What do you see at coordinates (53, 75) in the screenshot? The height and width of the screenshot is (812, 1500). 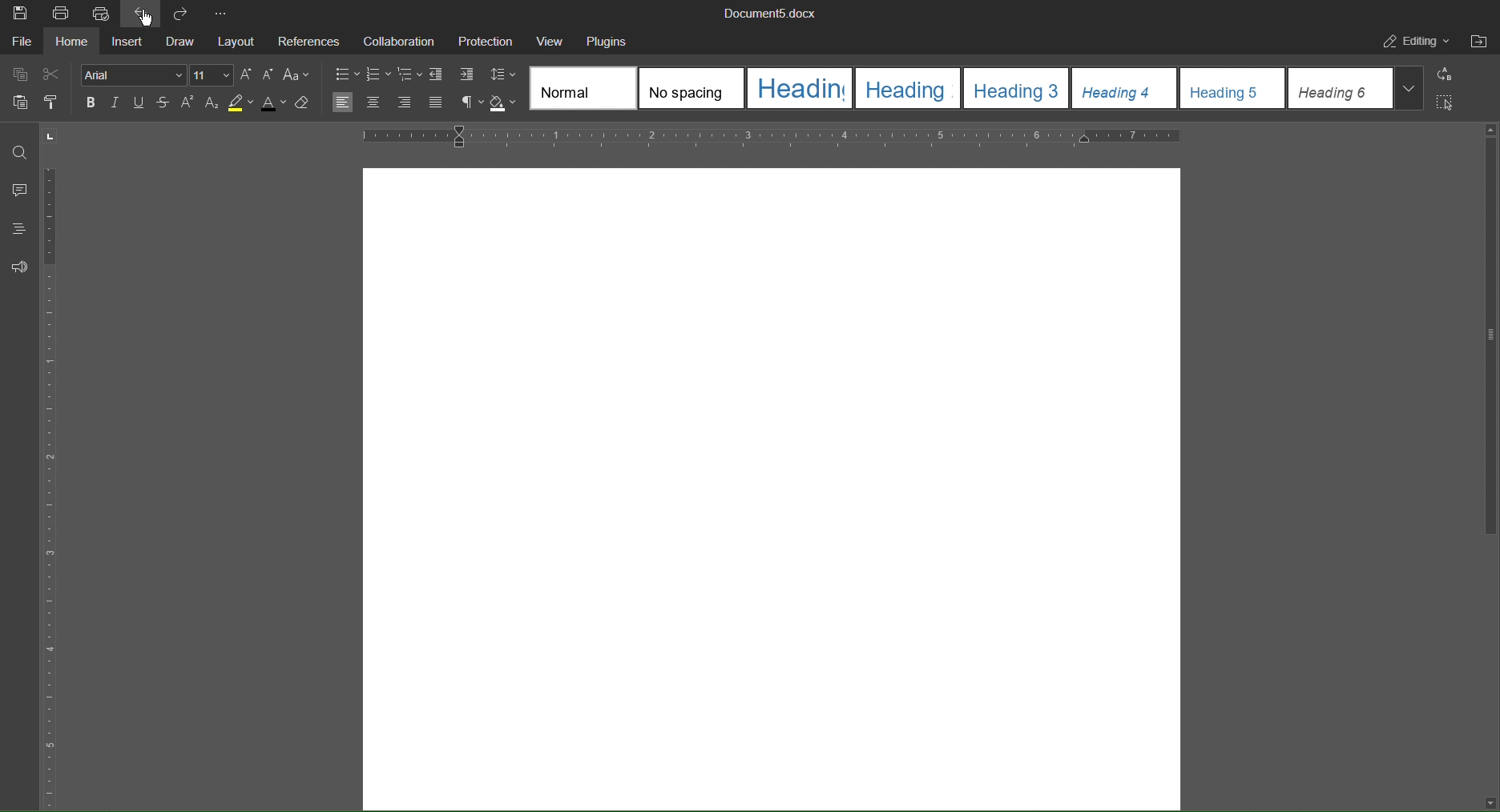 I see `Cut` at bounding box center [53, 75].